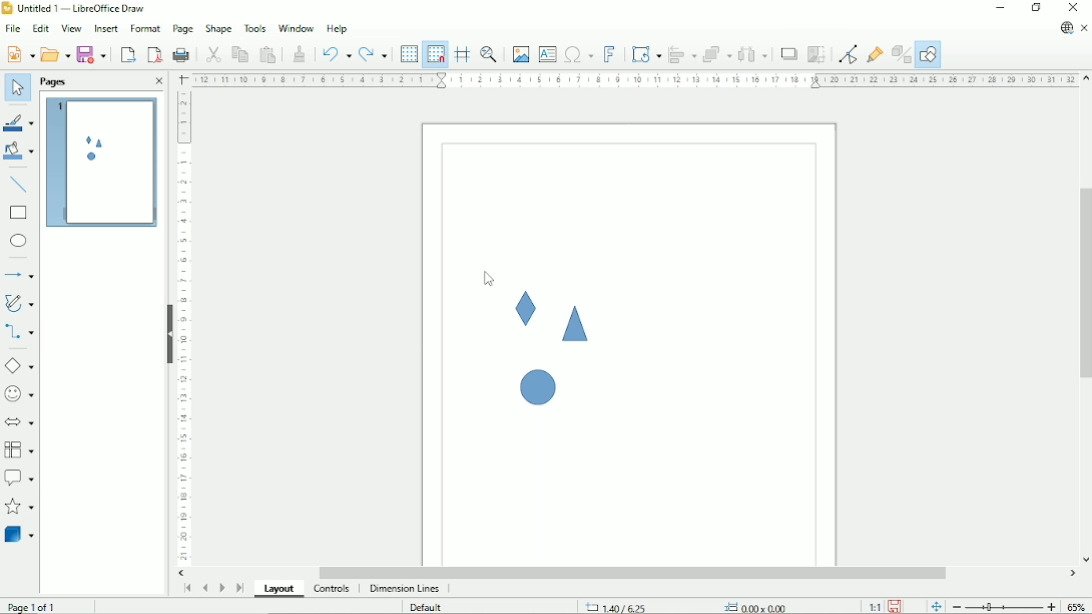 Image resolution: width=1092 pixels, height=614 pixels. Describe the element at coordinates (1003, 607) in the screenshot. I see `Zoom out/in` at that location.